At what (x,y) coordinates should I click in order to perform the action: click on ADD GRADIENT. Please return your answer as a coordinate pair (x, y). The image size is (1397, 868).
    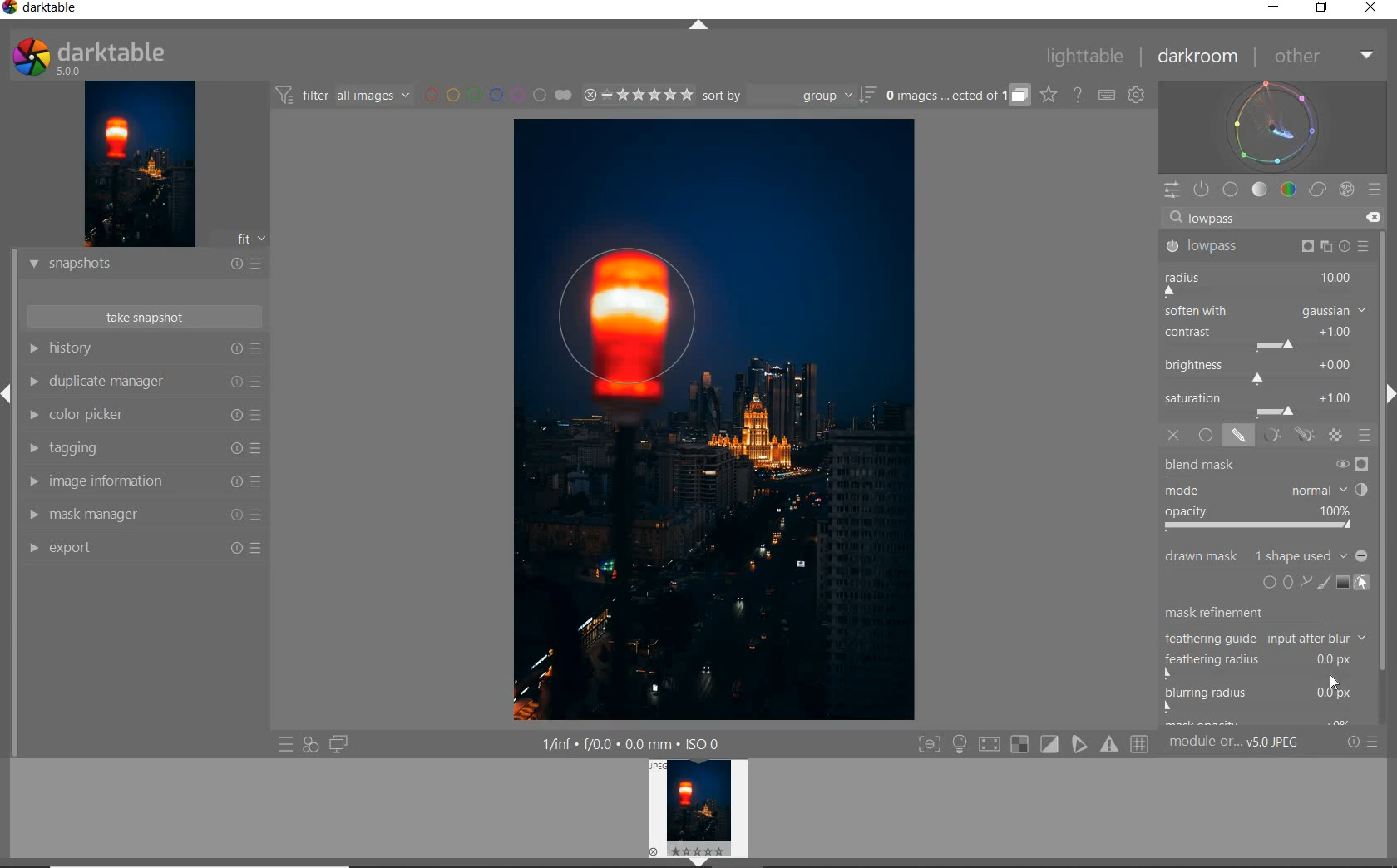
    Looking at the image, I should click on (1341, 583).